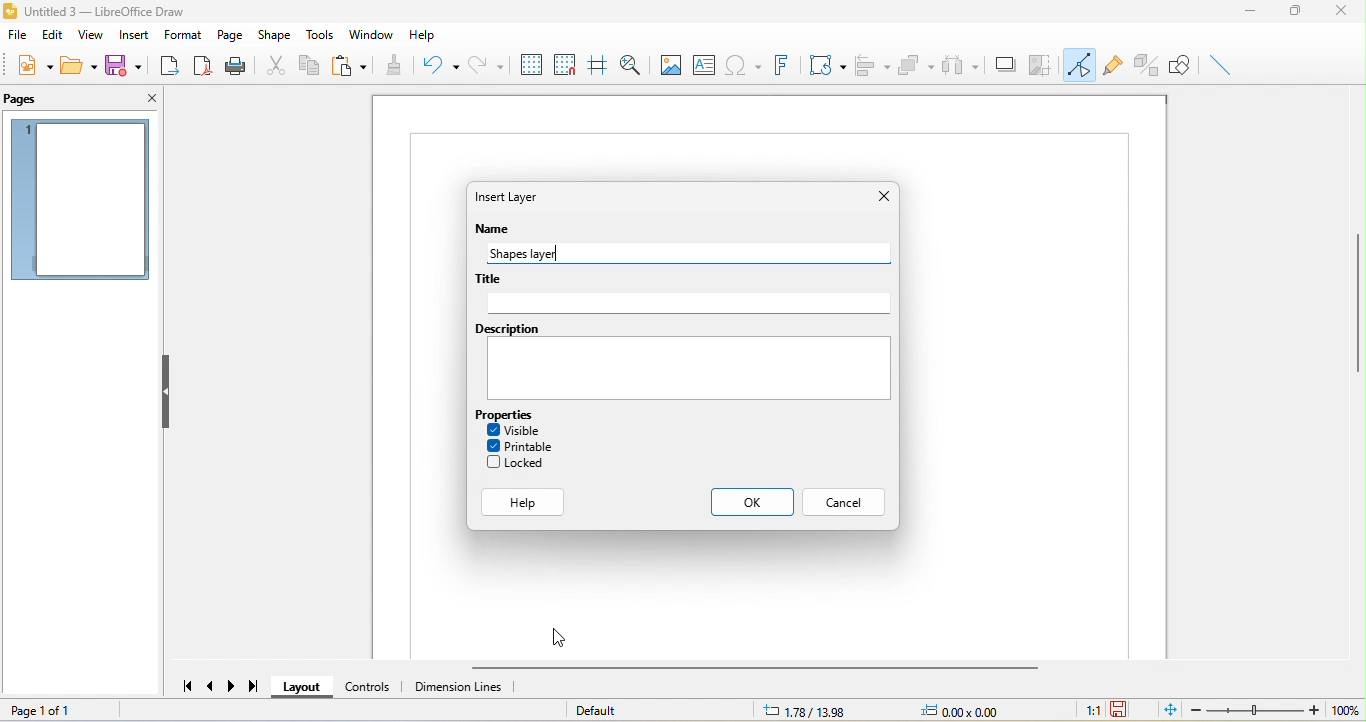 The image size is (1366, 722). What do you see at coordinates (1004, 65) in the screenshot?
I see `shadow` at bounding box center [1004, 65].